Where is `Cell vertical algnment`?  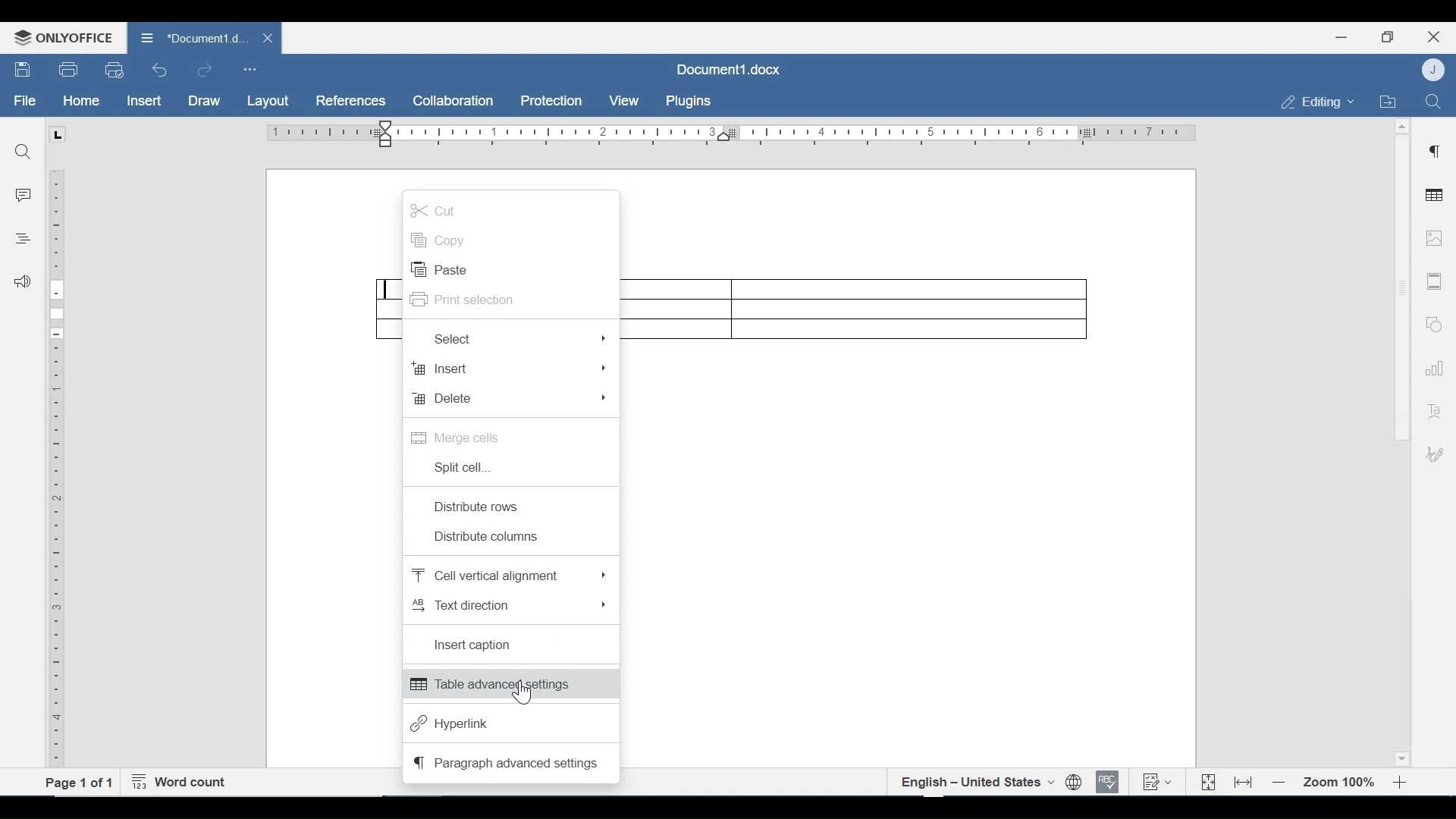
Cell vertical algnment is located at coordinates (507, 576).